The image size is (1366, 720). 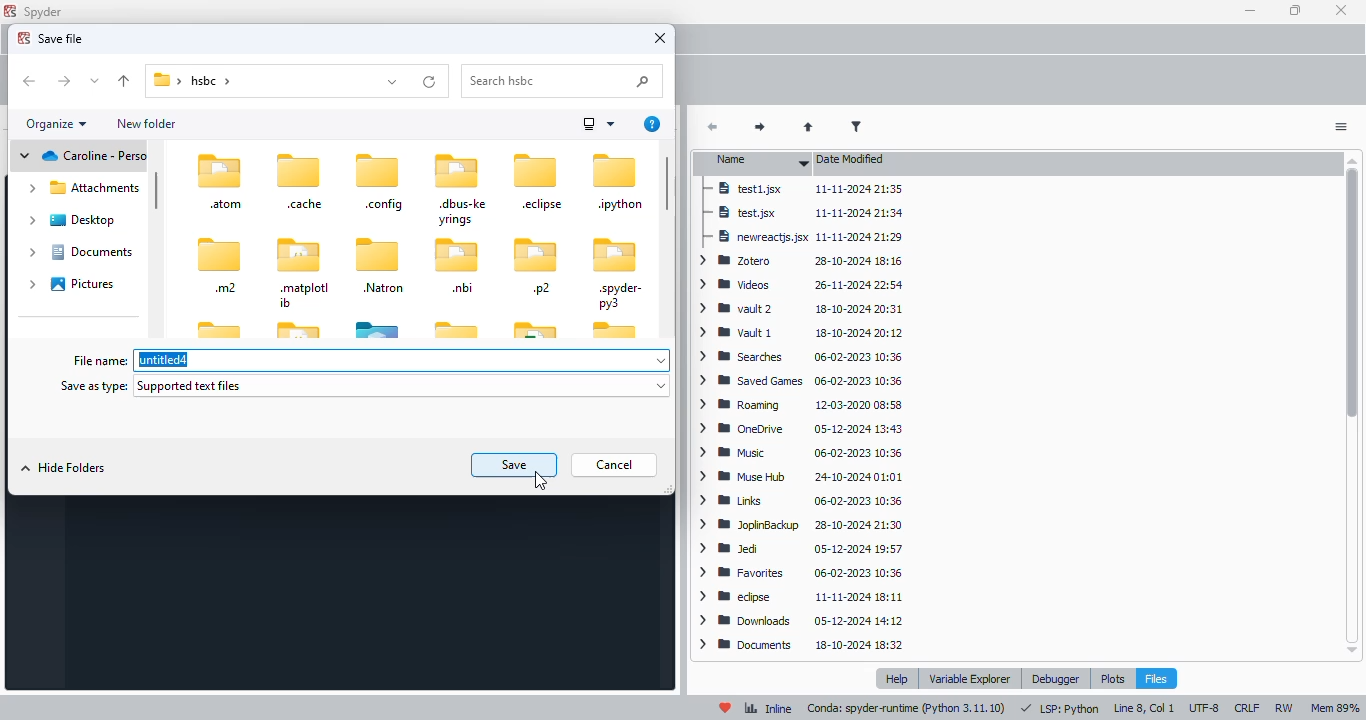 I want to click on back, so click(x=714, y=128).